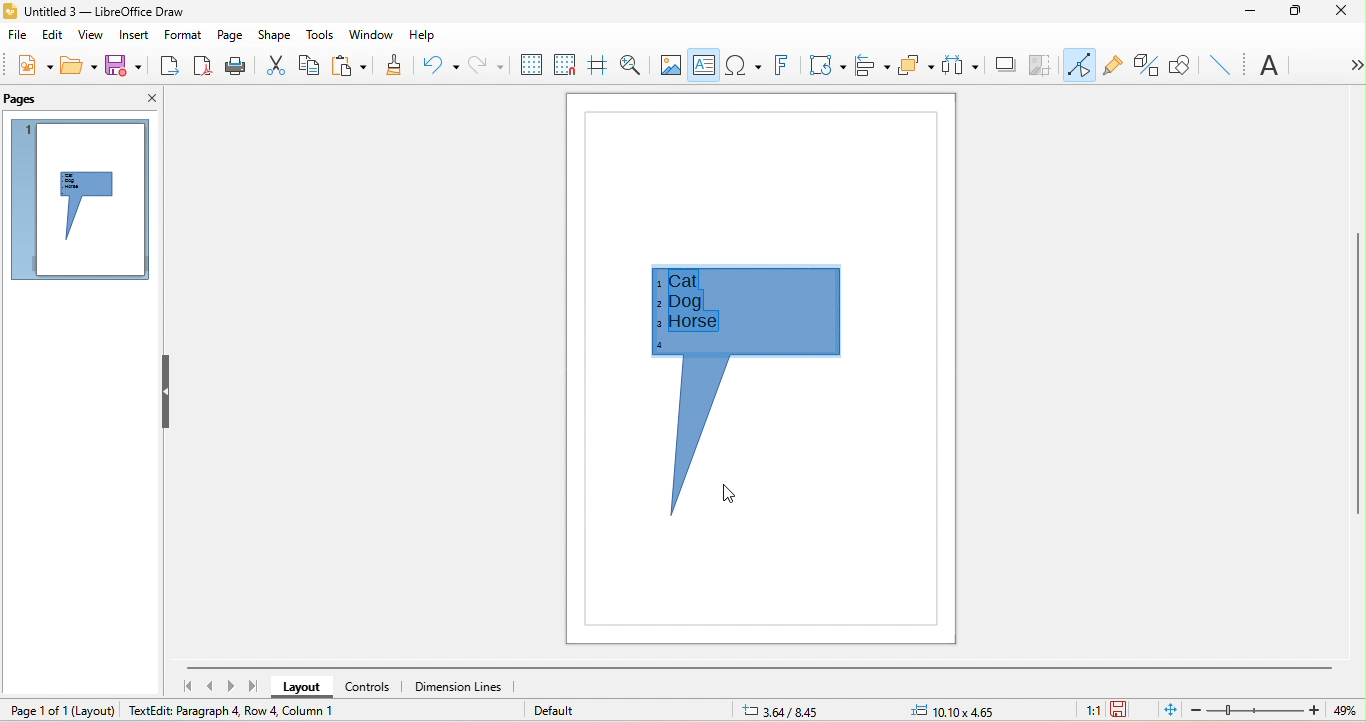  What do you see at coordinates (234, 686) in the screenshot?
I see `next page` at bounding box center [234, 686].